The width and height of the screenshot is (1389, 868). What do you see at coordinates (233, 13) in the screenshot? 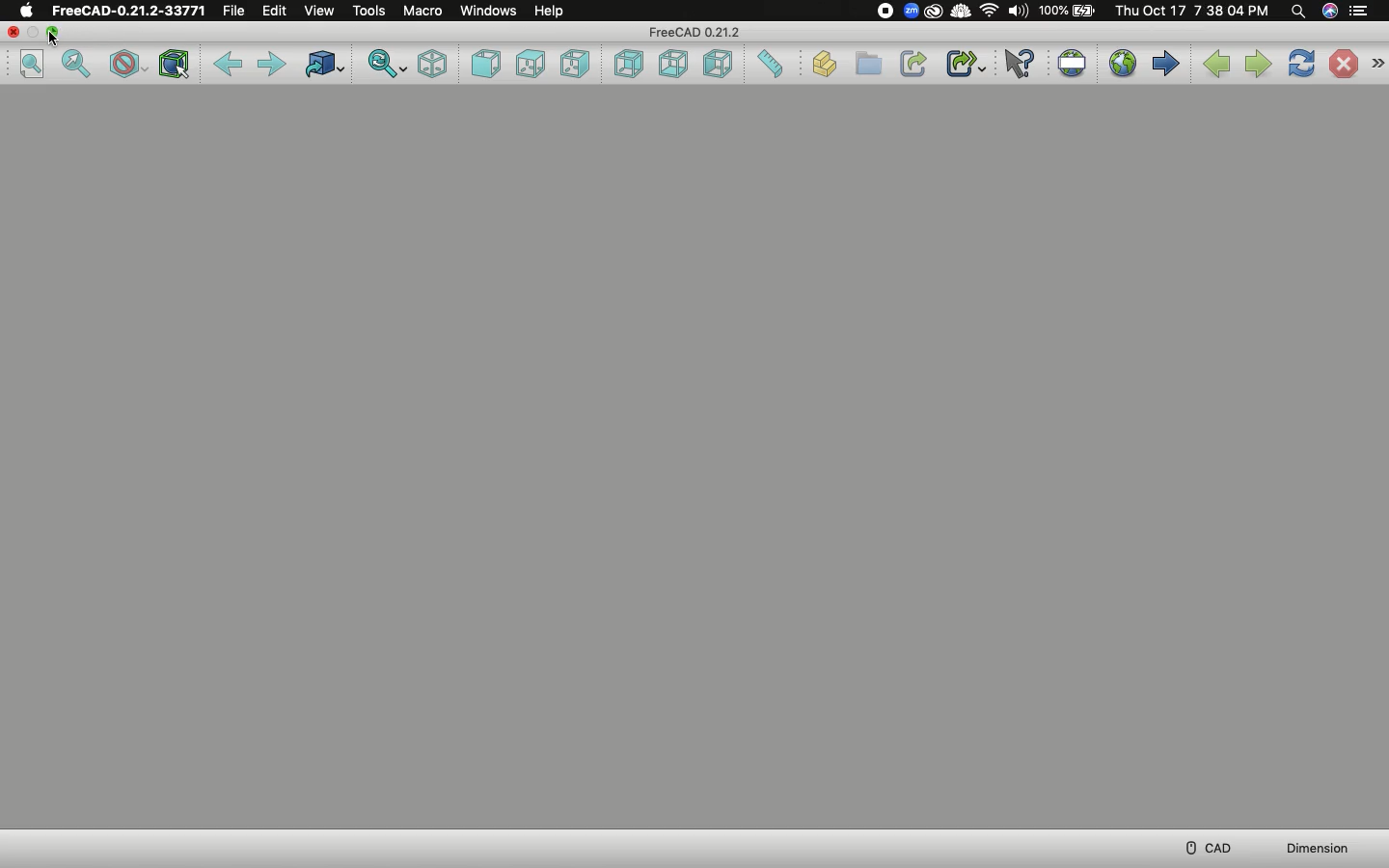
I see `File` at bounding box center [233, 13].